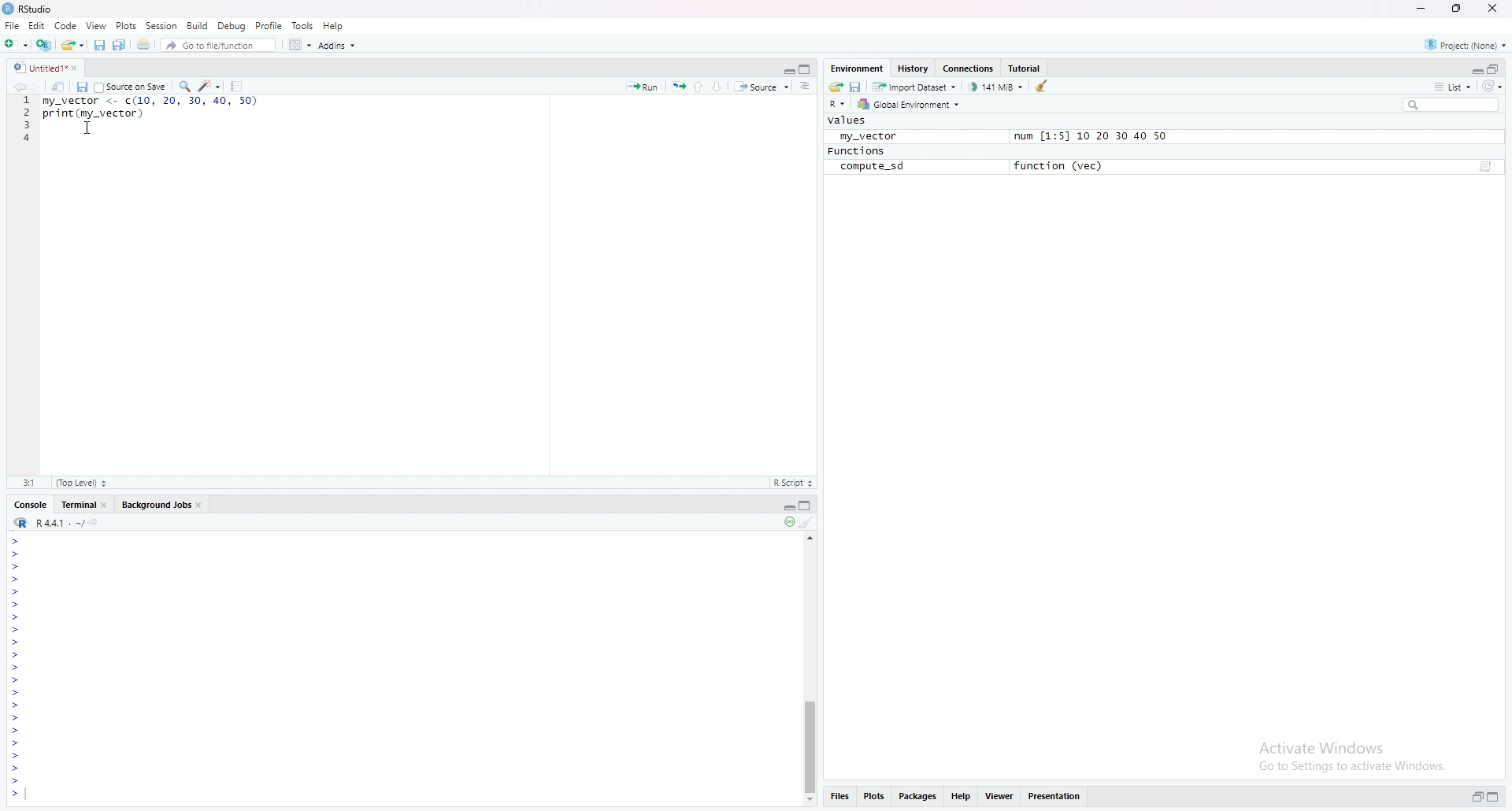 The height and width of the screenshot is (811, 1512). Describe the element at coordinates (1451, 86) in the screenshot. I see `List` at that location.